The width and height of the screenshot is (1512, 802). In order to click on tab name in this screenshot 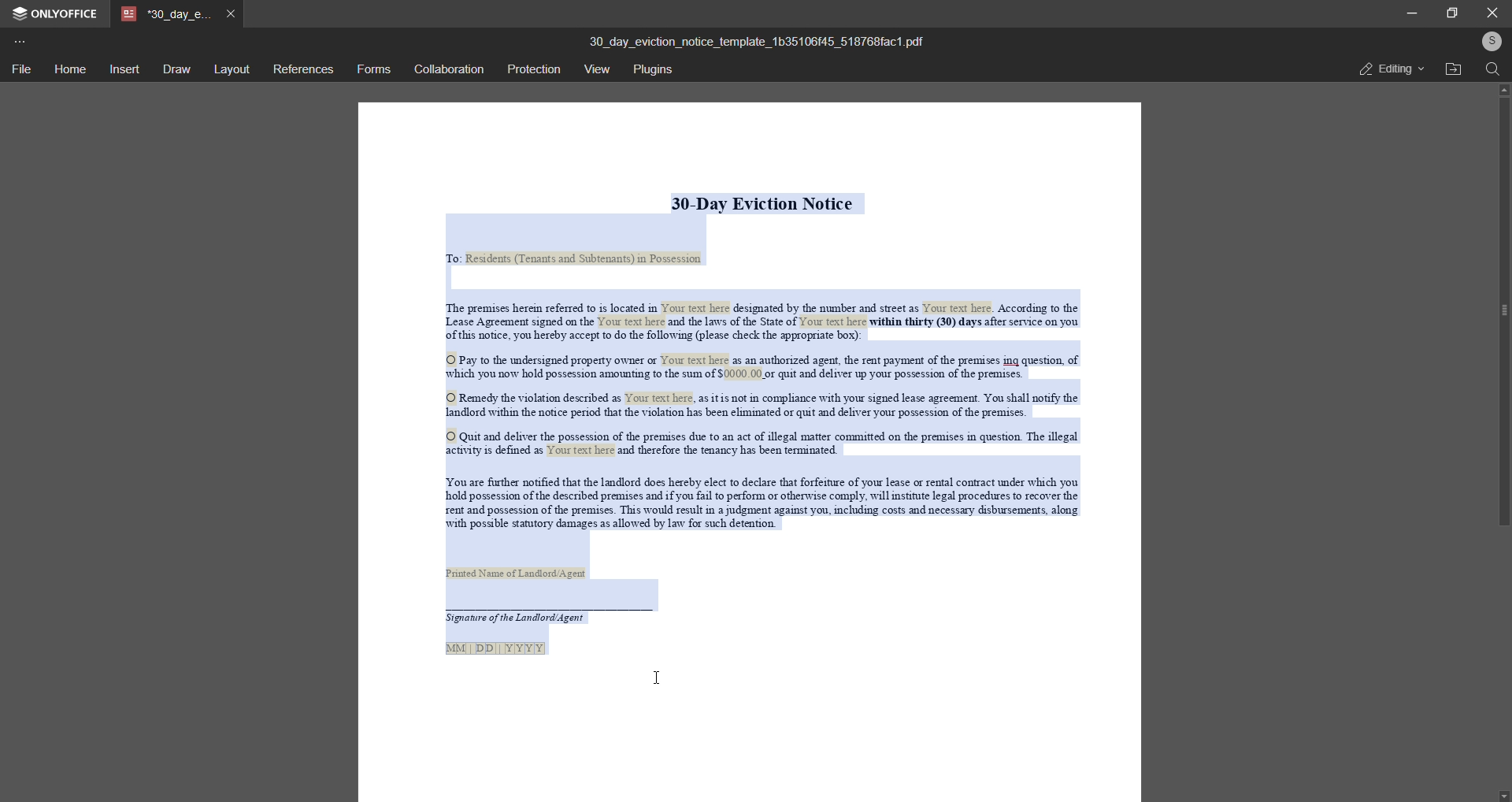, I will do `click(167, 14)`.